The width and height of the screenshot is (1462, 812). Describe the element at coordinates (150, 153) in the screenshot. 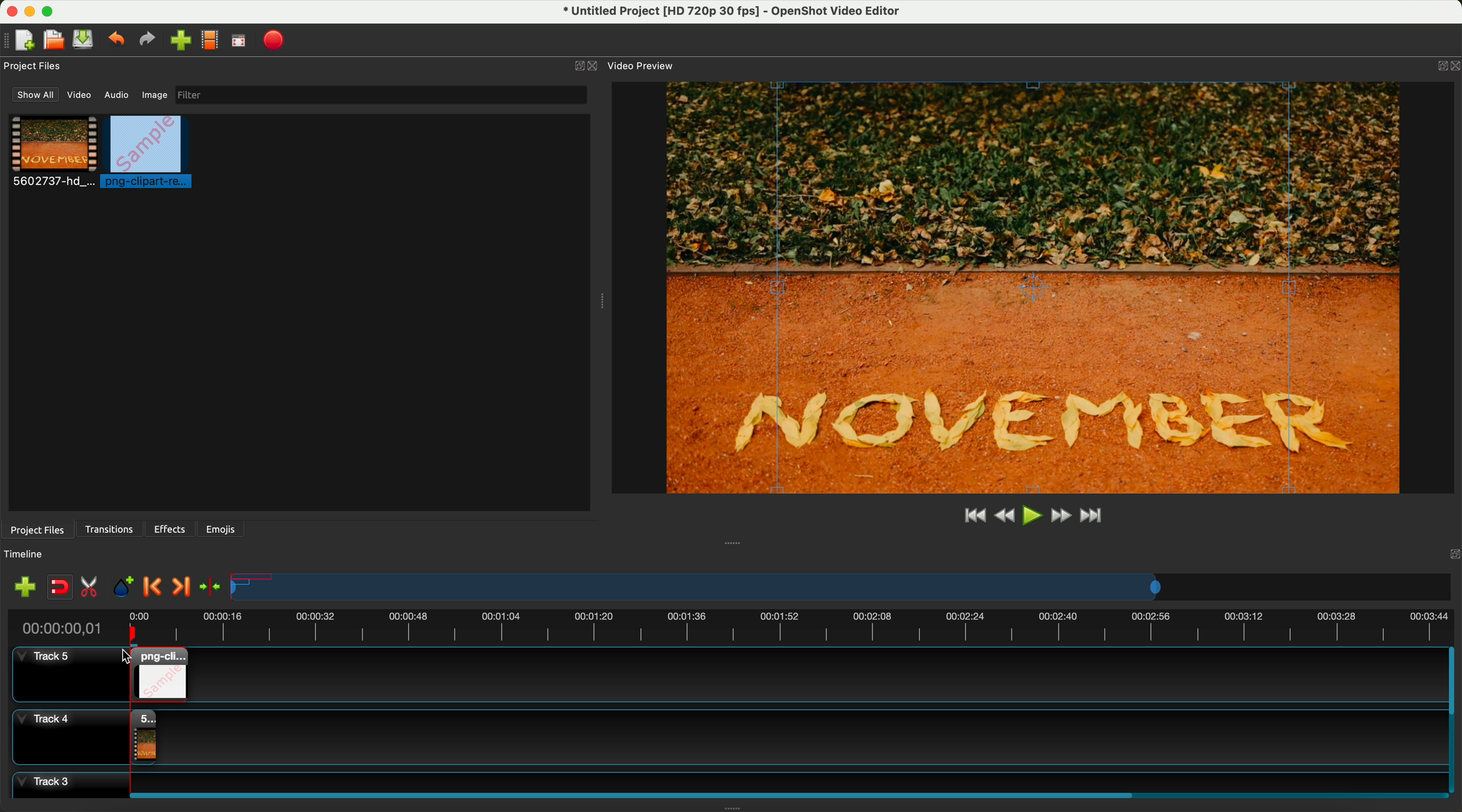

I see `click on image` at that location.